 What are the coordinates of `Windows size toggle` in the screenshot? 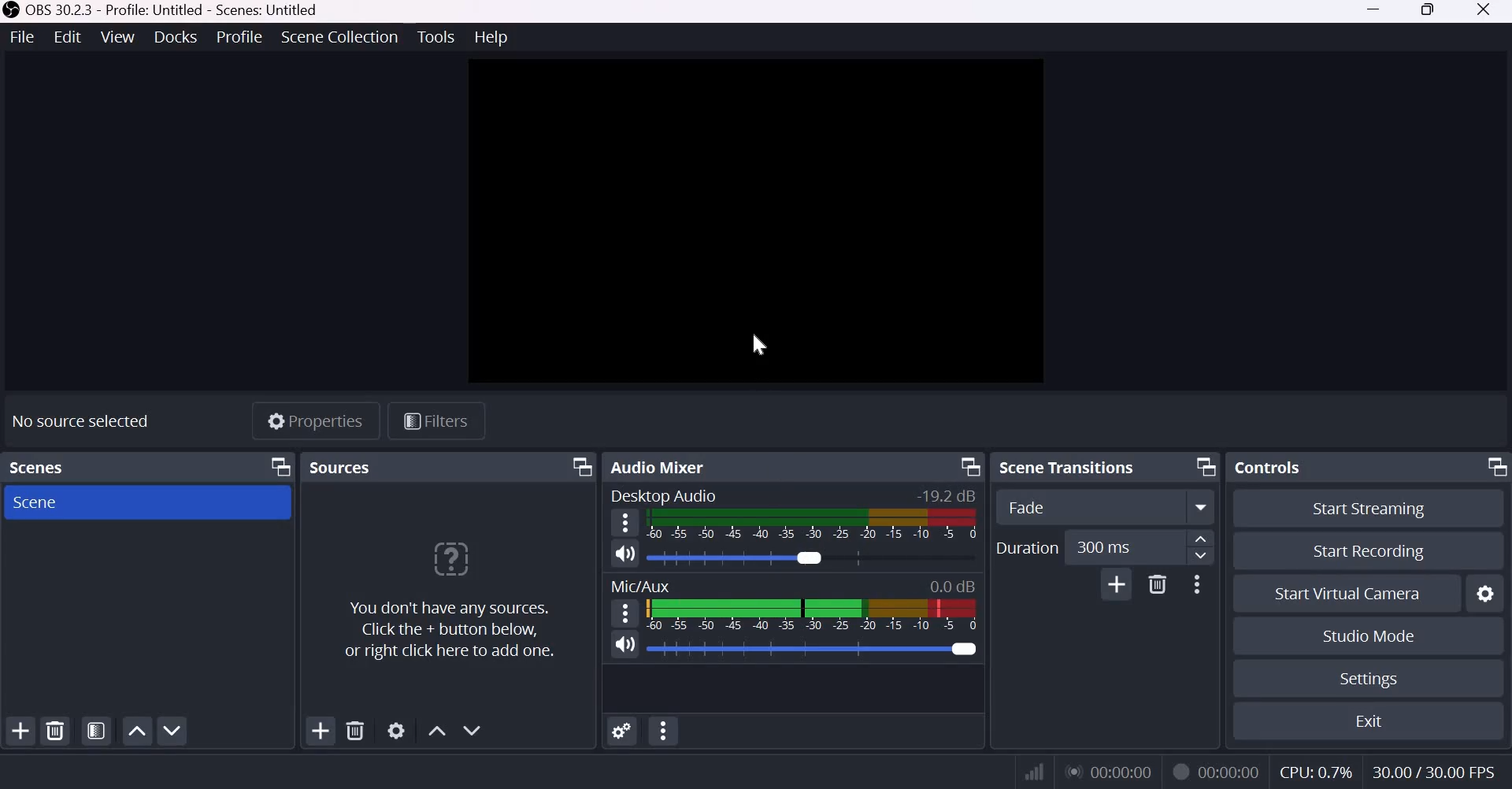 It's located at (1432, 12).